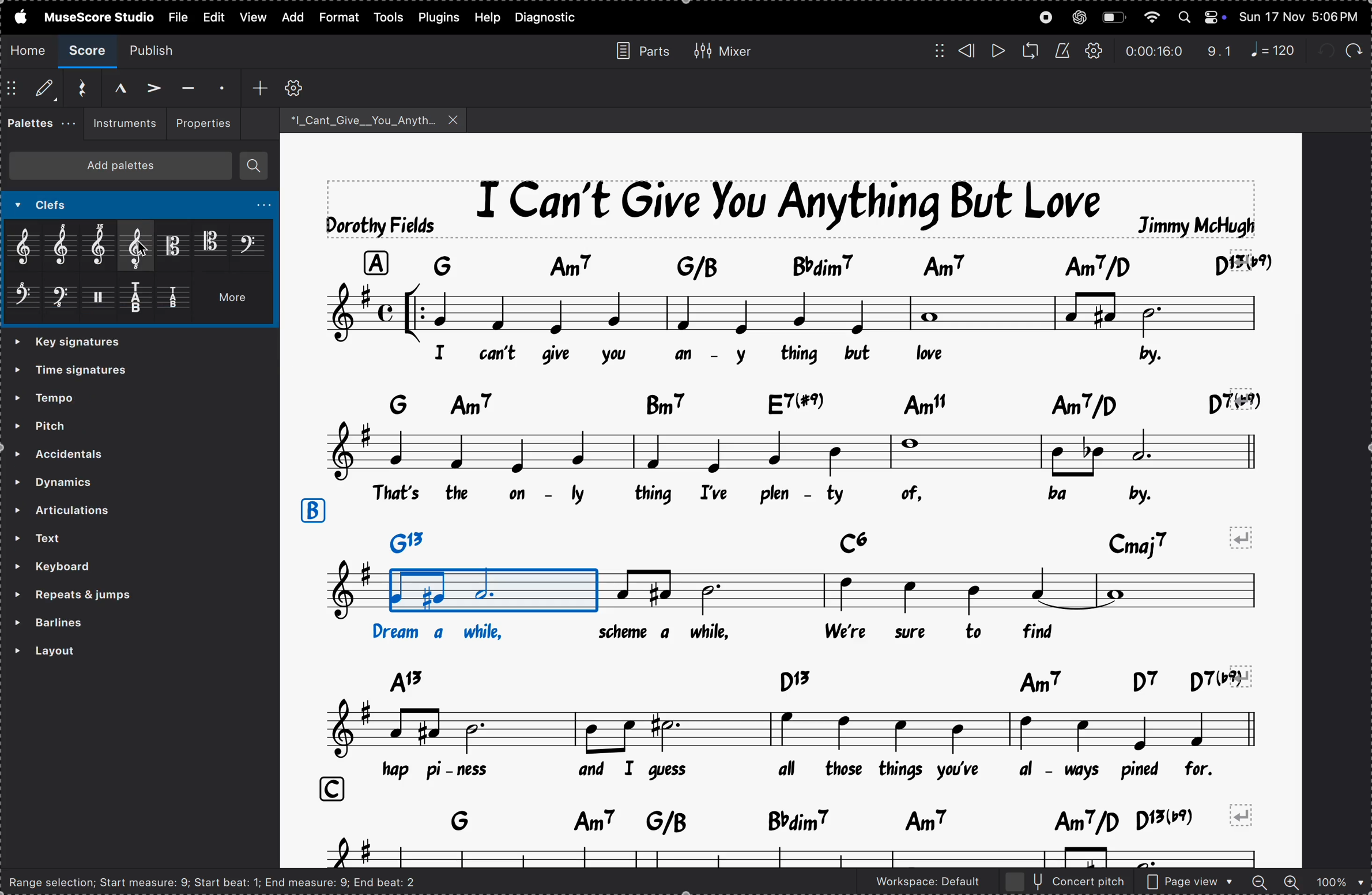 The height and width of the screenshot is (895, 1372). Describe the element at coordinates (327, 789) in the screenshot. I see `row` at that location.